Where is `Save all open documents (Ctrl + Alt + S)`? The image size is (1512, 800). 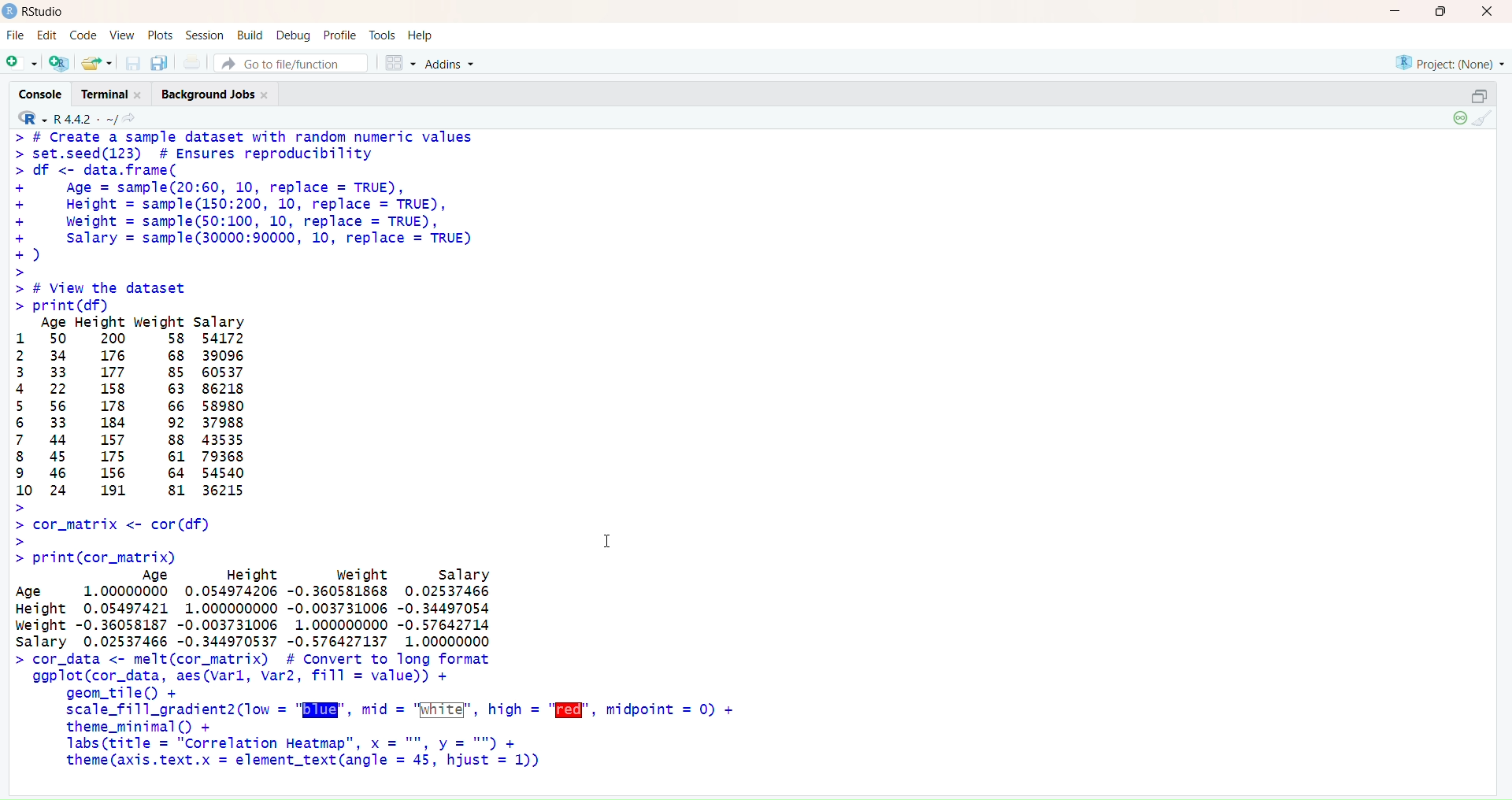 Save all open documents (Ctrl + Alt + S) is located at coordinates (160, 61).